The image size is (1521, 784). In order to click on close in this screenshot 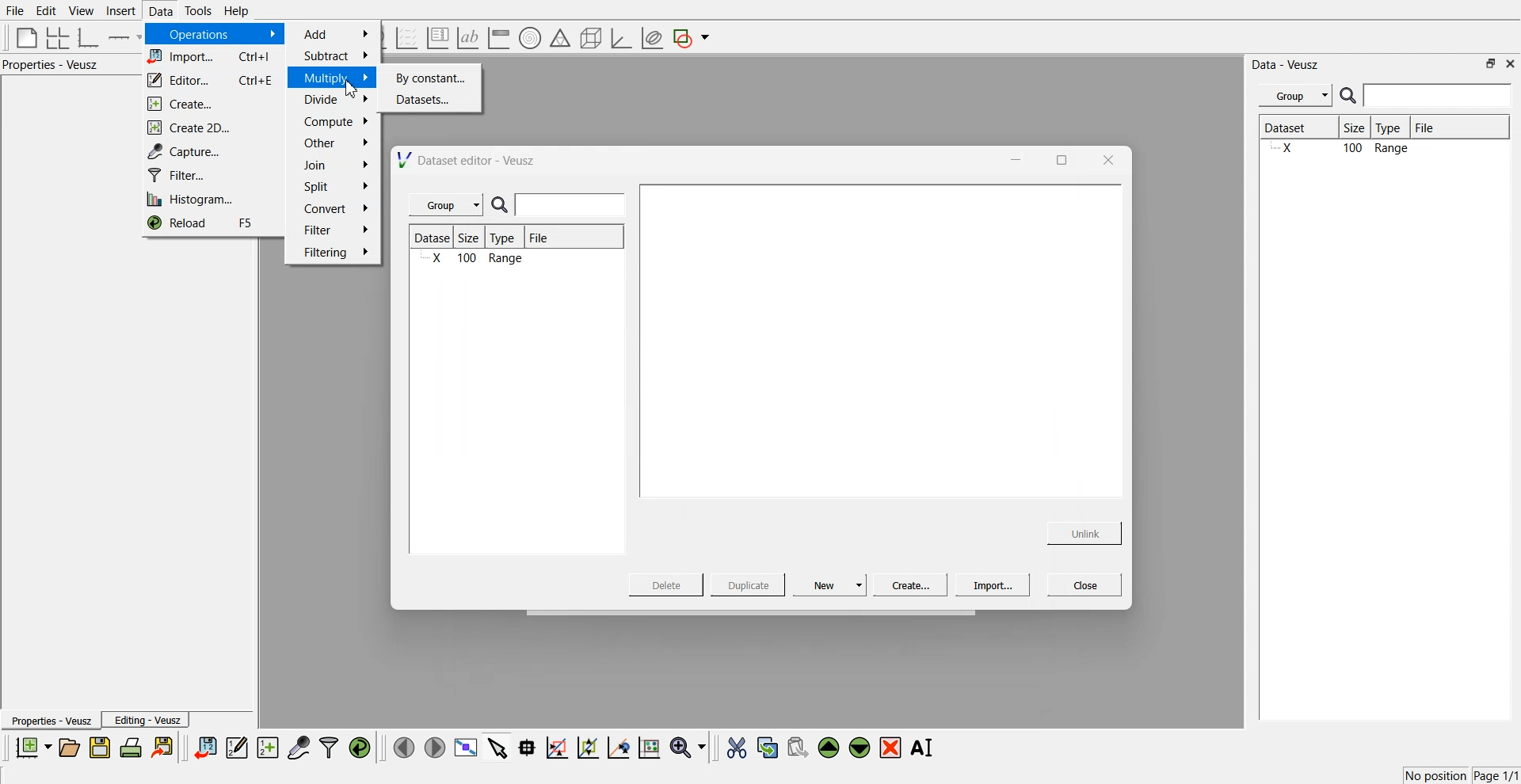, I will do `click(1107, 159)`.